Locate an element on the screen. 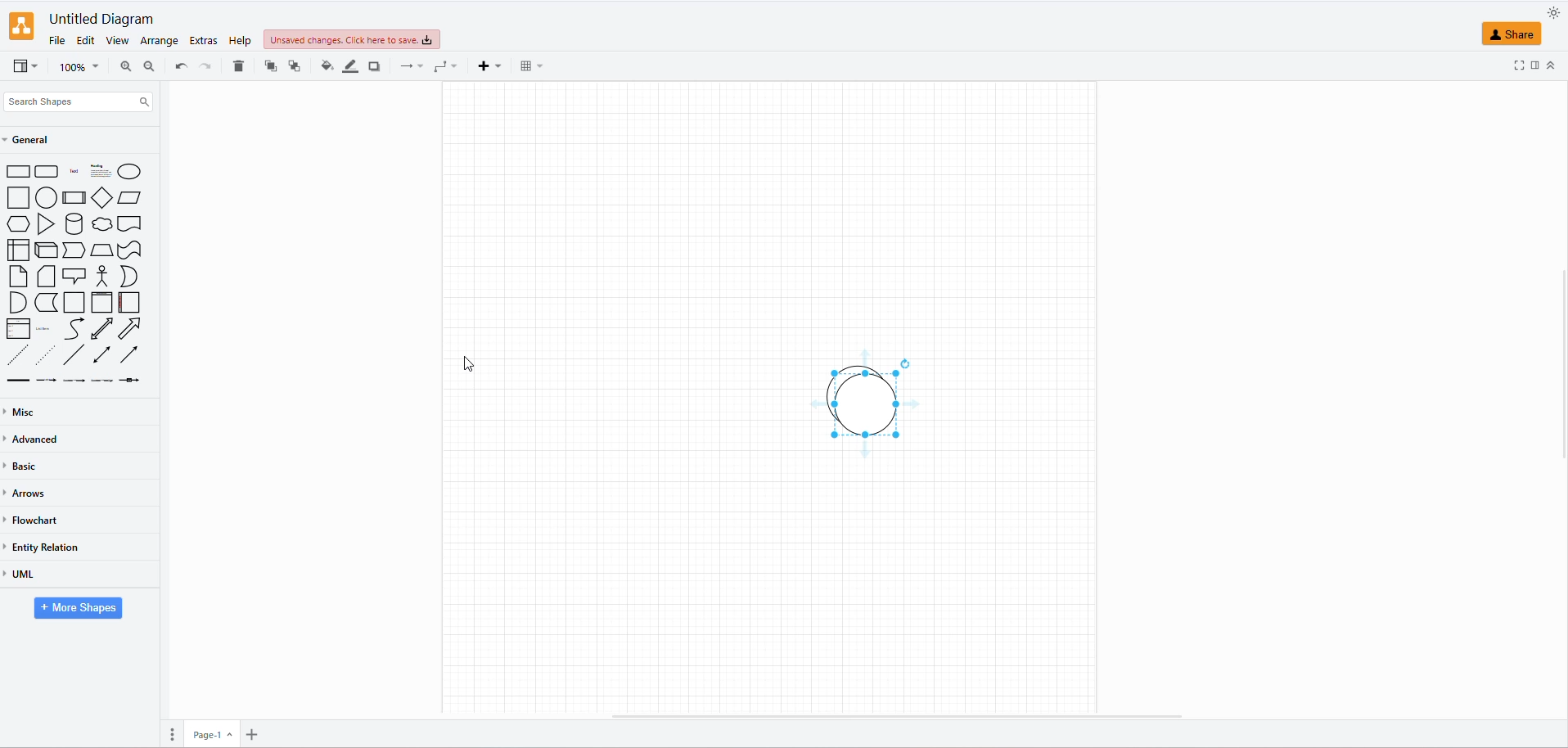 This screenshot has height=748, width=1568. CYLINDER is located at coordinates (74, 223).